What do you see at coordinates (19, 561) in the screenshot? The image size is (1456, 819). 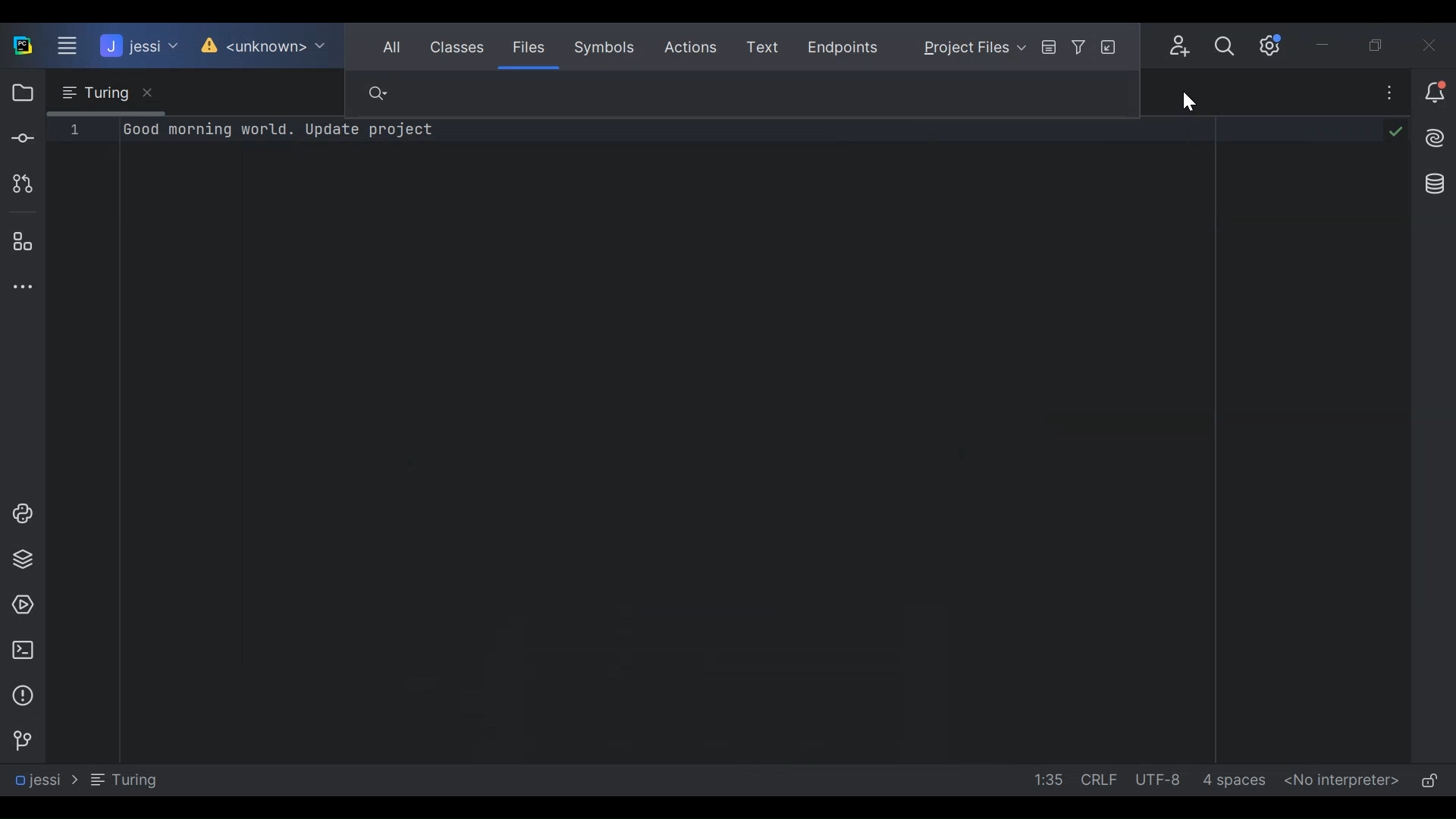 I see `Python Packages` at bounding box center [19, 561].